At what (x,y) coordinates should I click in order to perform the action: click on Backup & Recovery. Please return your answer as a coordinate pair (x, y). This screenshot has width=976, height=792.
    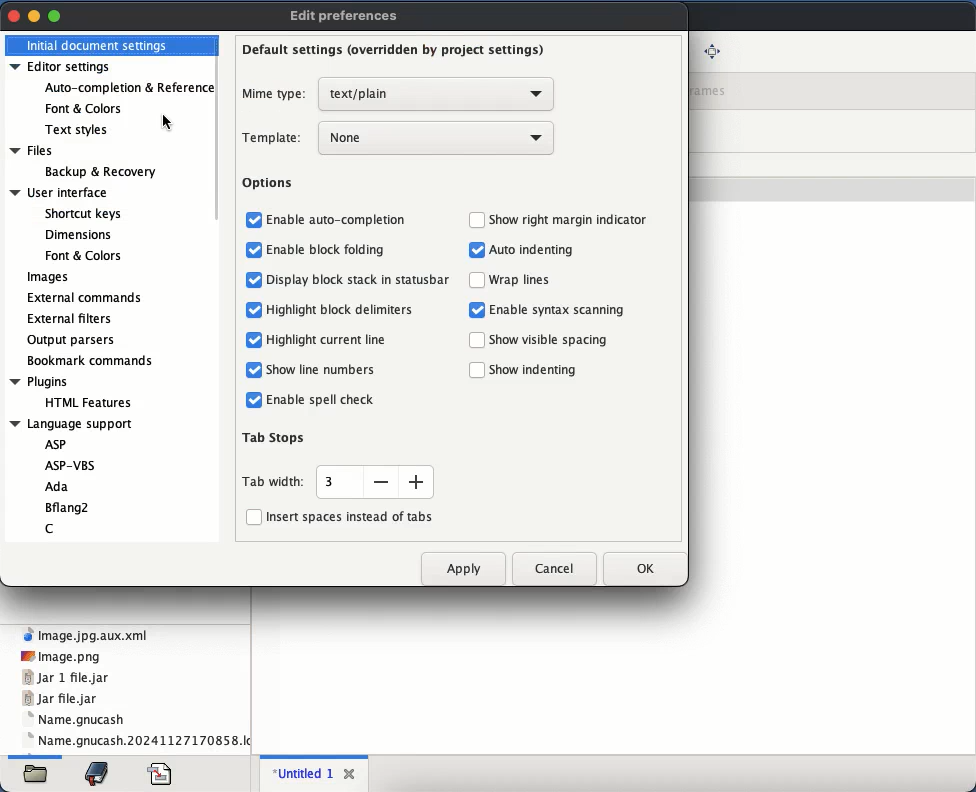
    Looking at the image, I should click on (100, 171).